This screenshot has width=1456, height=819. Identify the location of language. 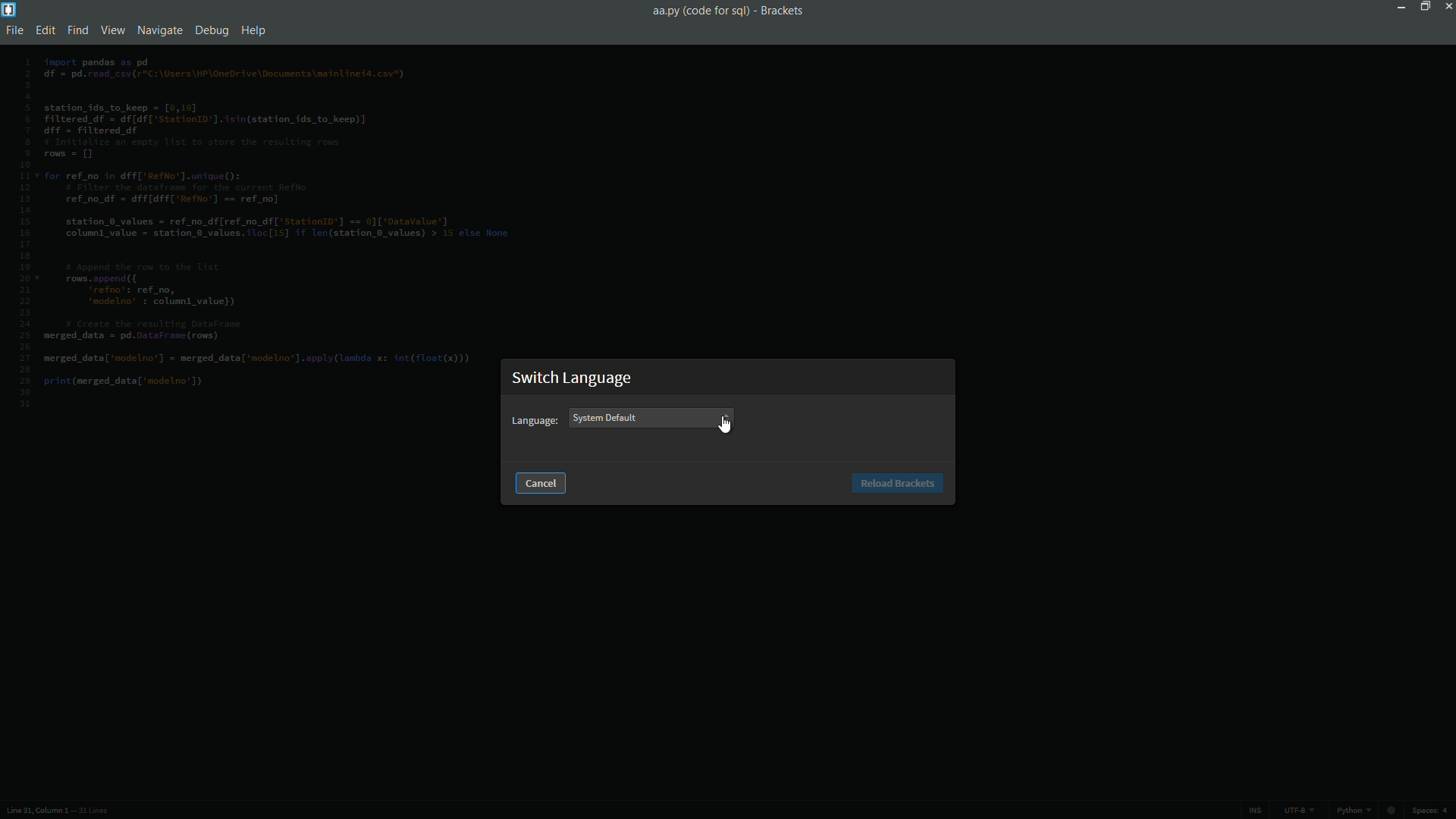
(535, 421).